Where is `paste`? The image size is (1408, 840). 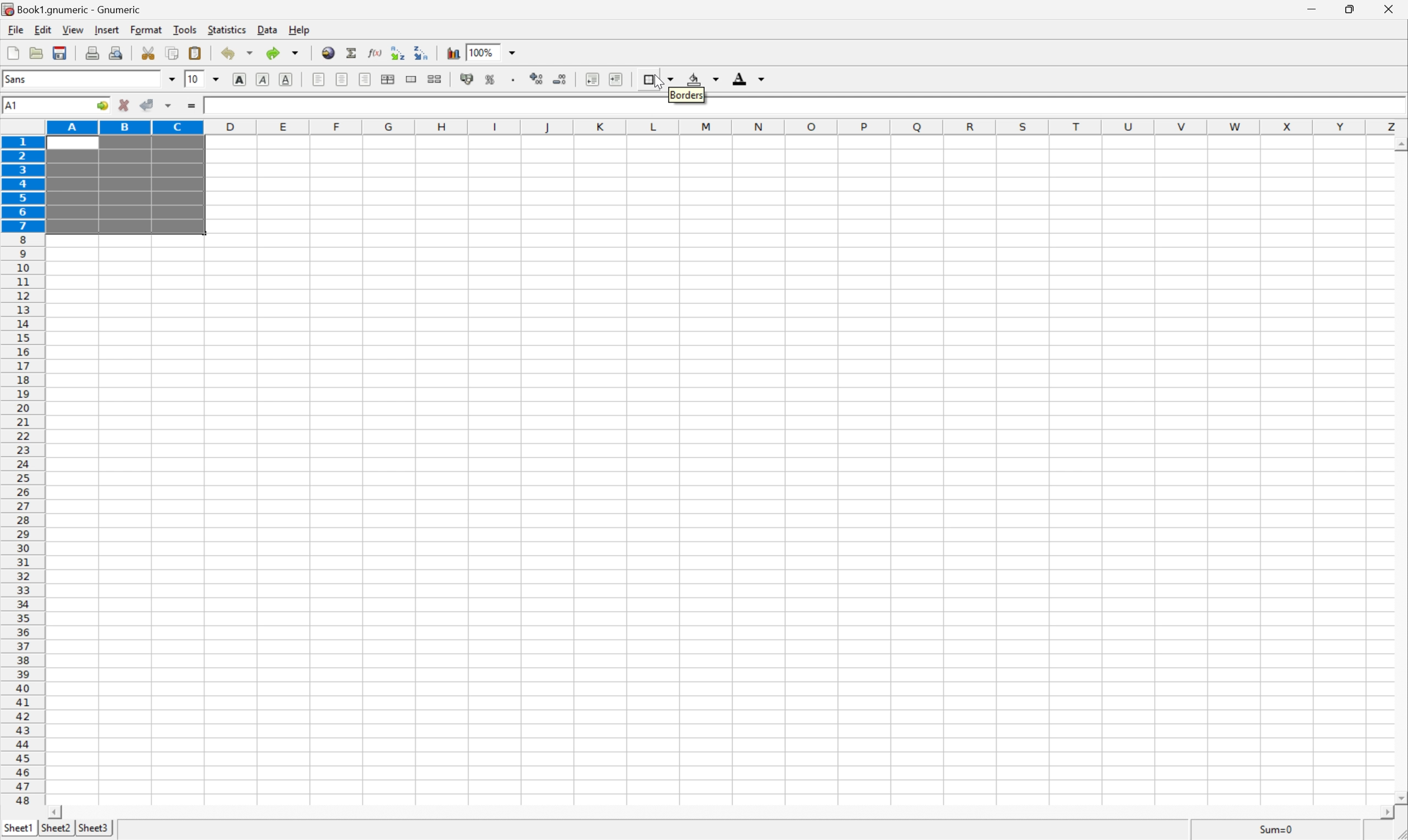 paste is located at coordinates (195, 52).